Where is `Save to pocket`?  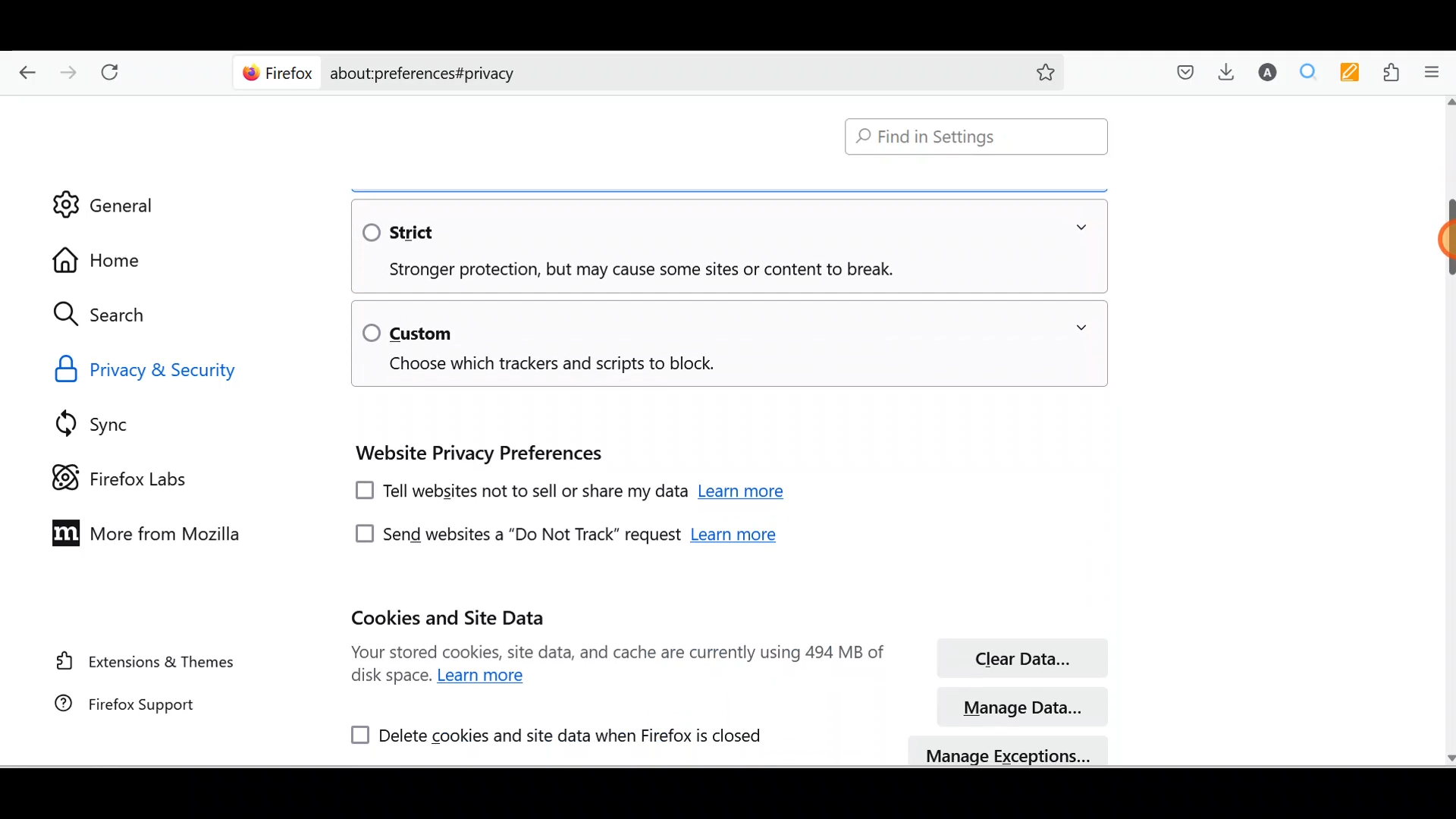 Save to pocket is located at coordinates (1188, 71).